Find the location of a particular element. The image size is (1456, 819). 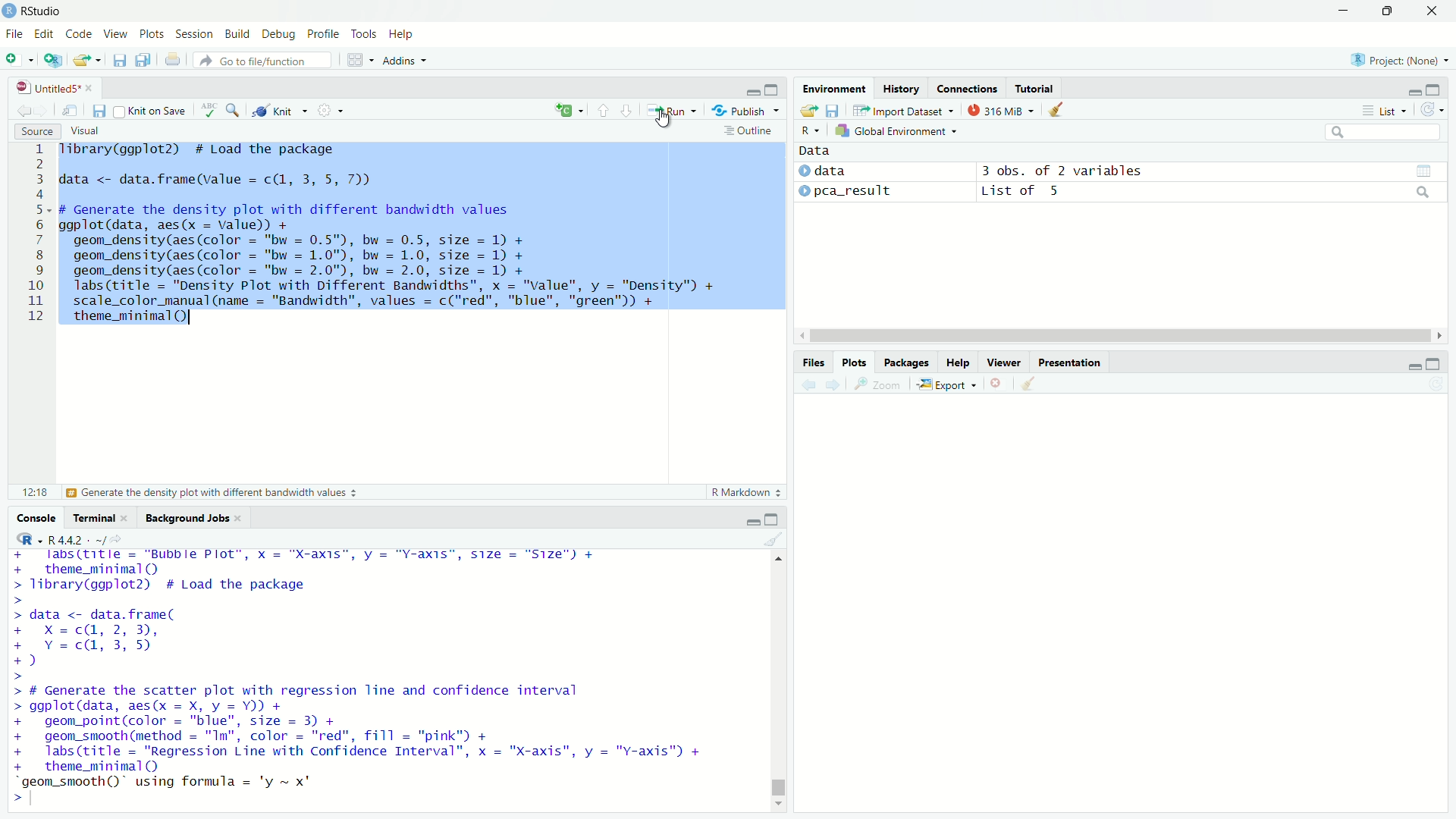

maximize is located at coordinates (1434, 363).